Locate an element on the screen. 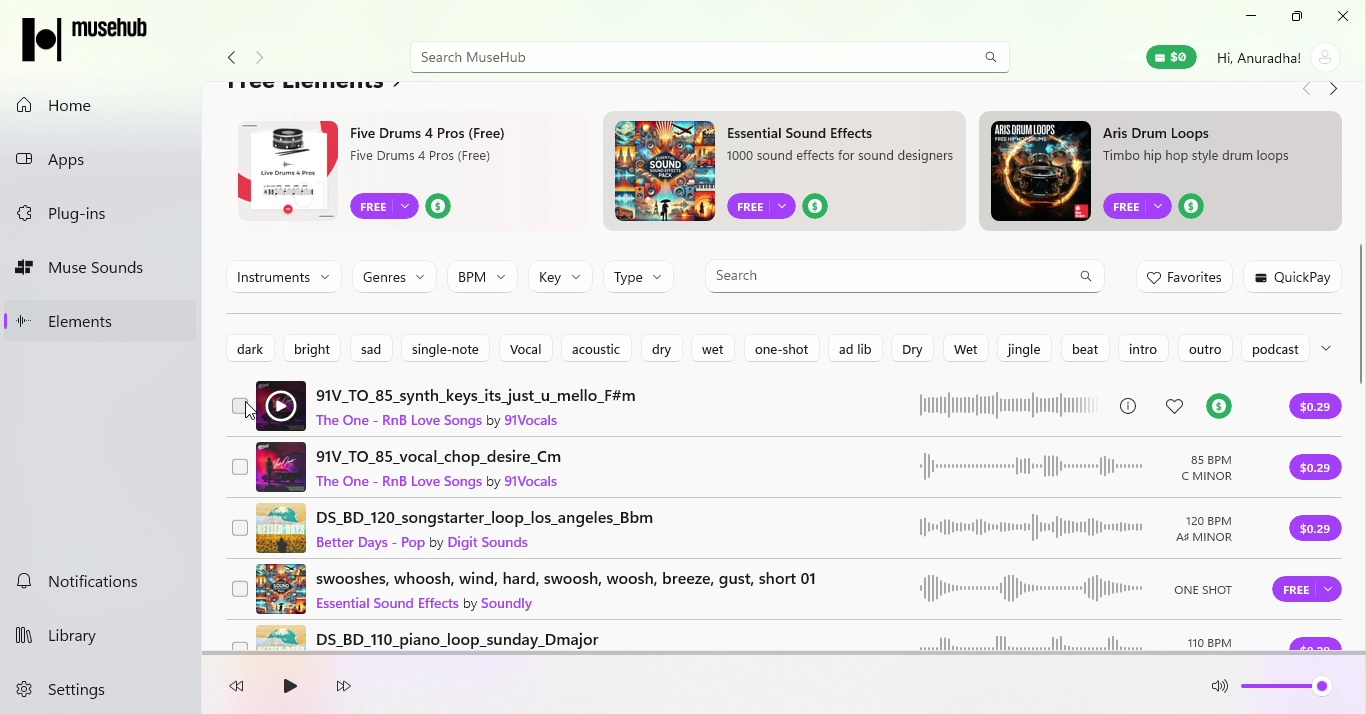 The height and width of the screenshot is (714, 1366). Muse sounds is located at coordinates (102, 269).